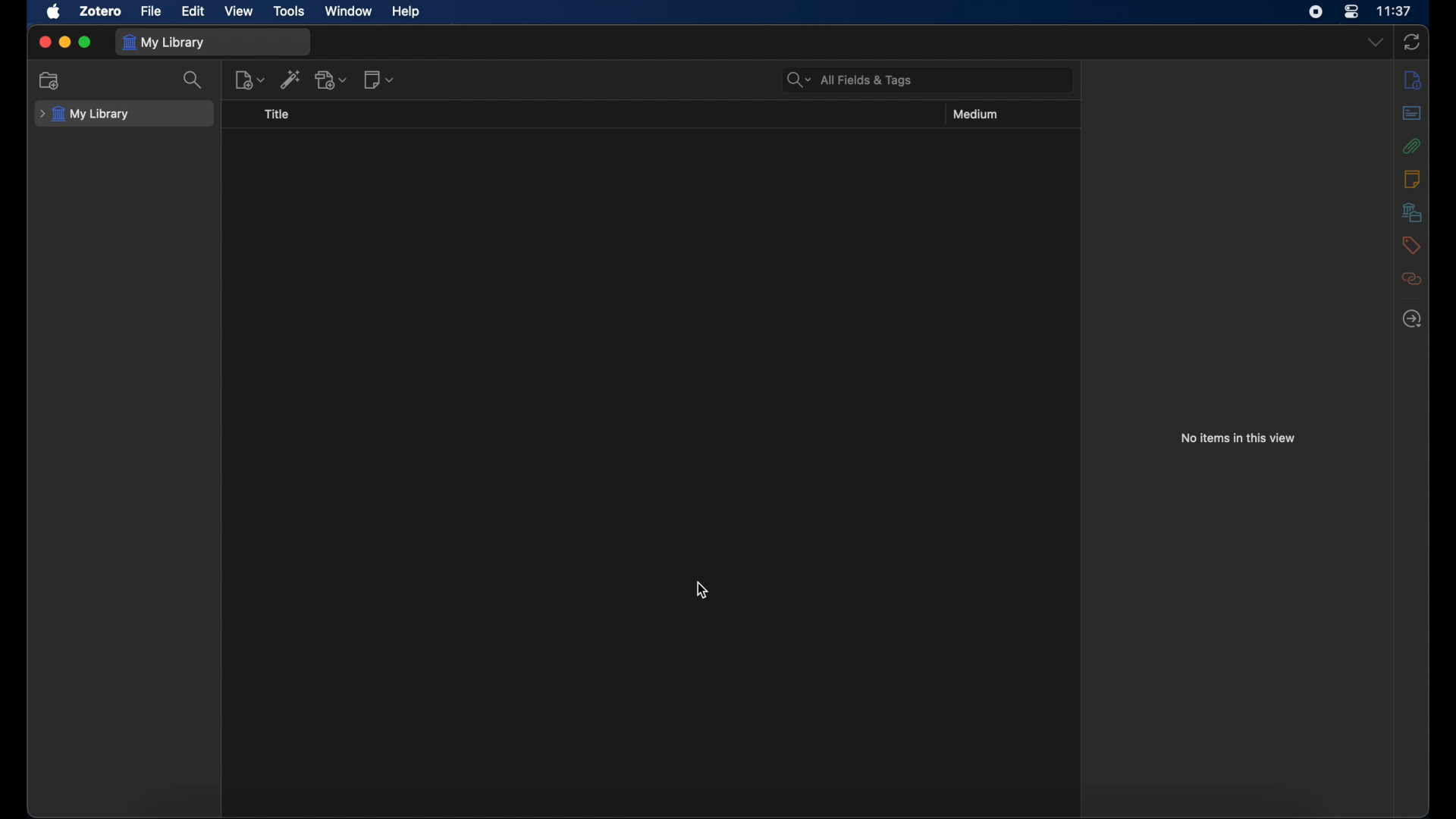 The height and width of the screenshot is (819, 1456). What do you see at coordinates (241, 11) in the screenshot?
I see `view` at bounding box center [241, 11].